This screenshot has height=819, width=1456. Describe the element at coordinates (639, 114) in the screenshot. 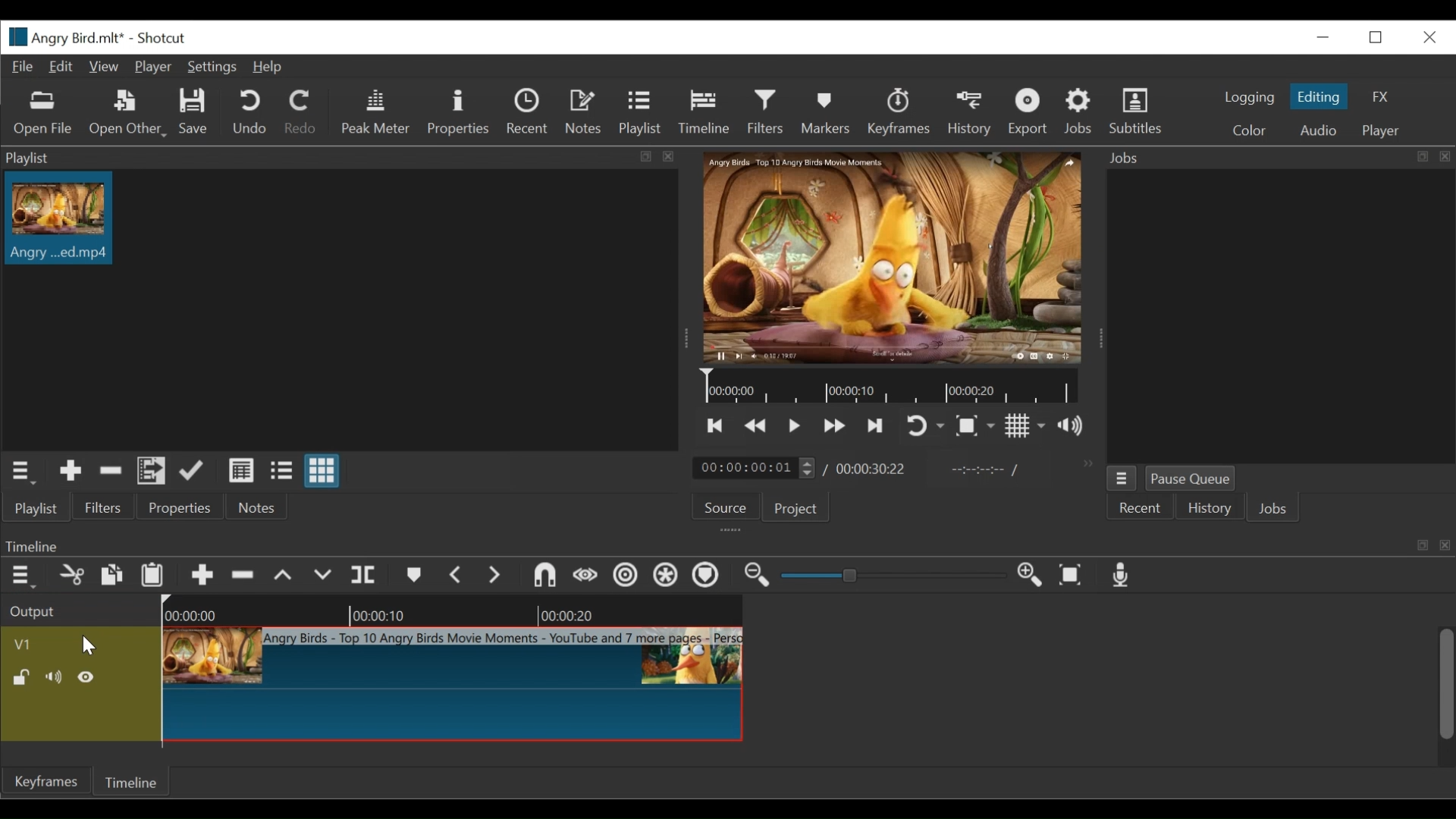

I see `Playlist` at that location.